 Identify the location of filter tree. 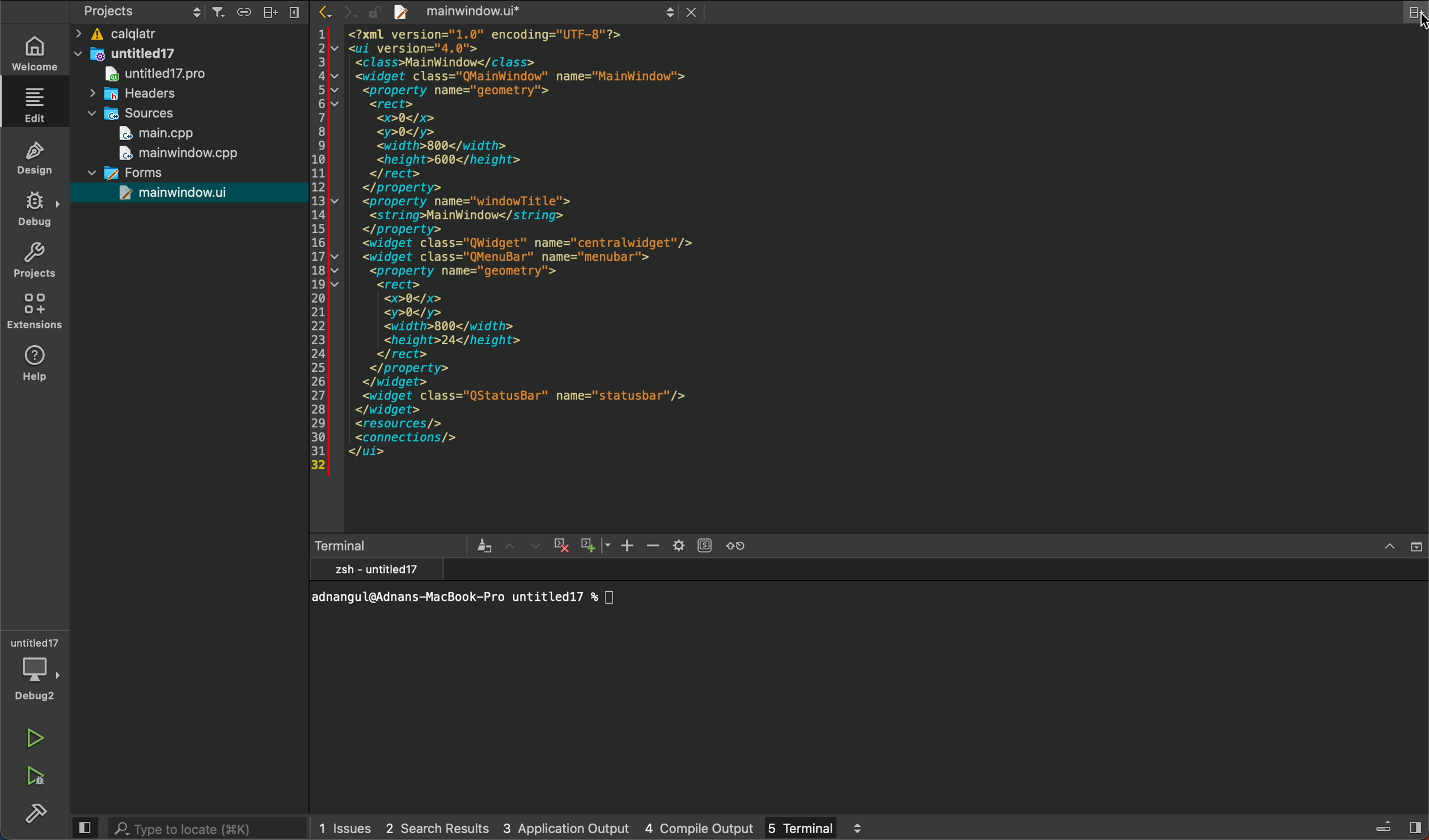
(219, 13).